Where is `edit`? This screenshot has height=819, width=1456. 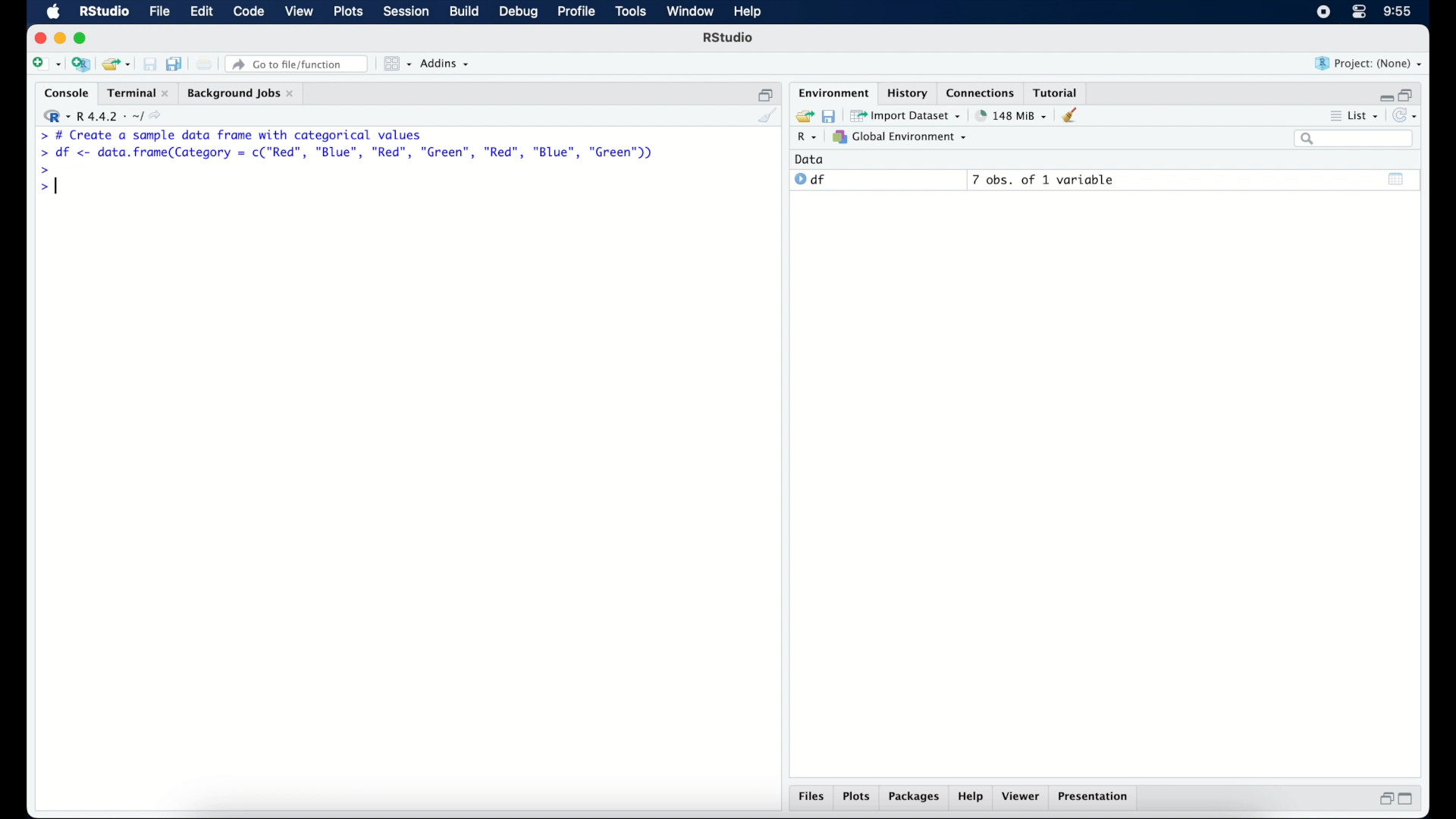
edit is located at coordinates (202, 12).